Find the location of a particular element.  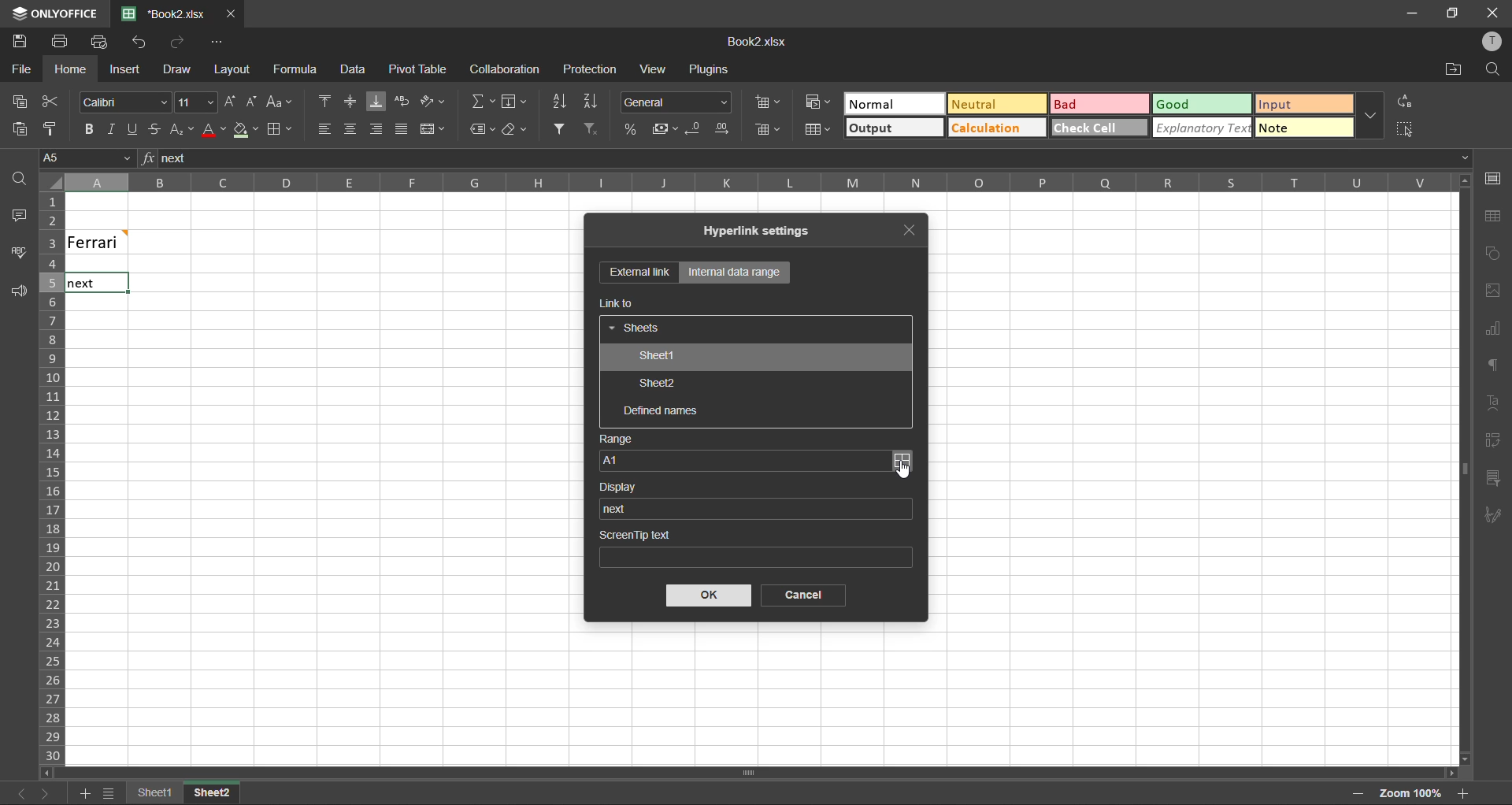

cursor is located at coordinates (905, 471).